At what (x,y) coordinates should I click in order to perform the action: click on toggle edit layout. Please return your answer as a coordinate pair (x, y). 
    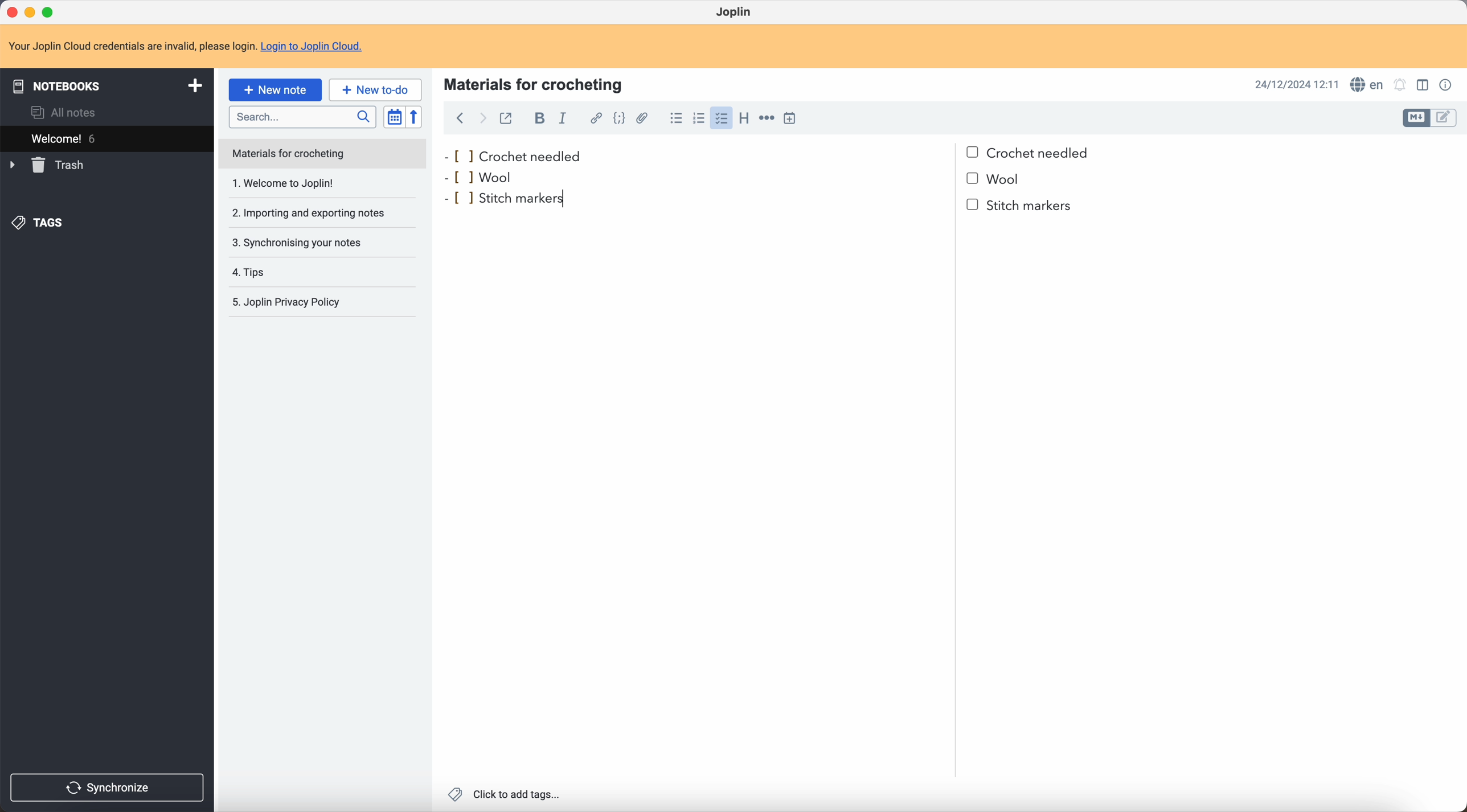
    Looking at the image, I should click on (1445, 117).